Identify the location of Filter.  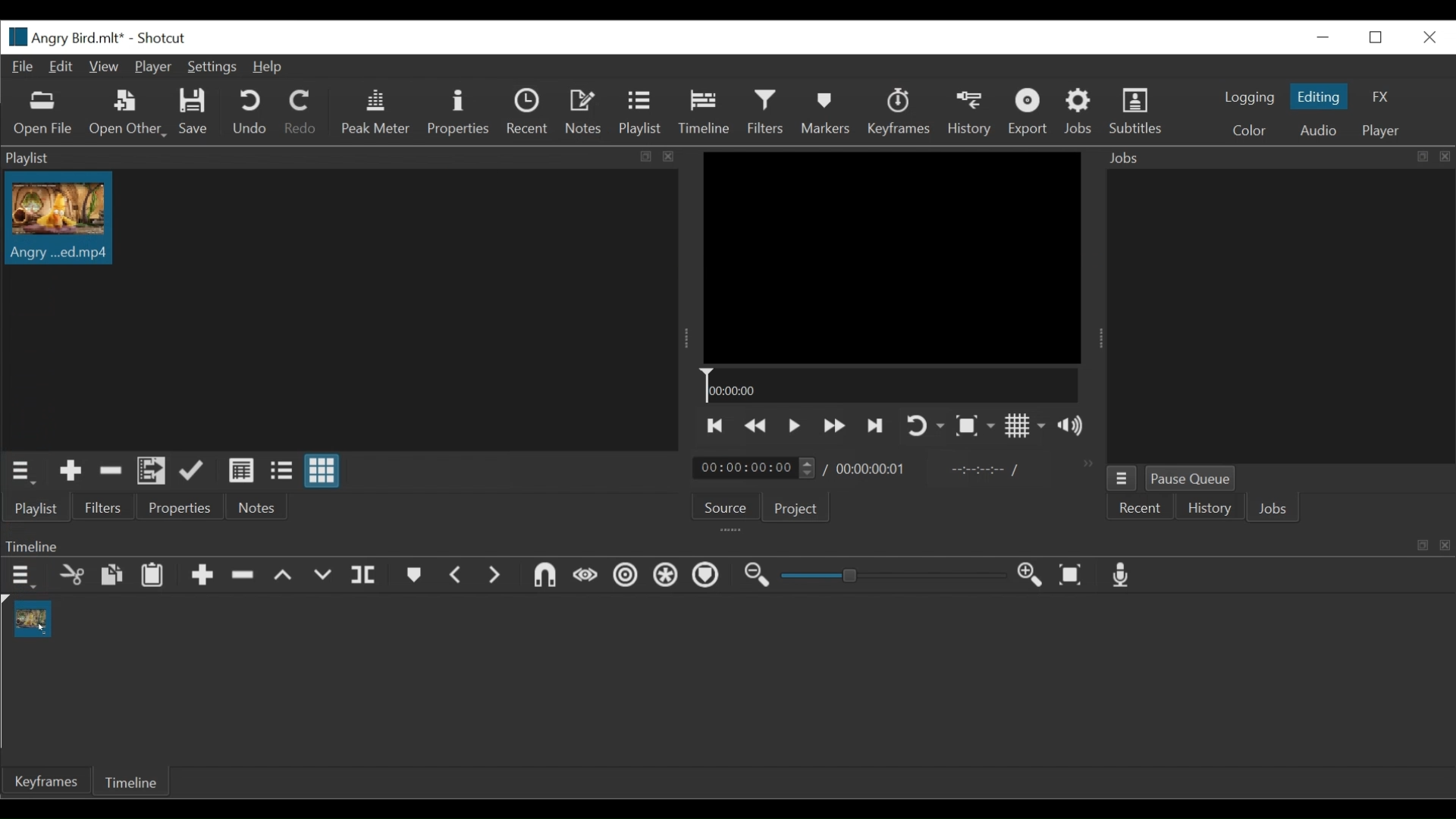
(765, 111).